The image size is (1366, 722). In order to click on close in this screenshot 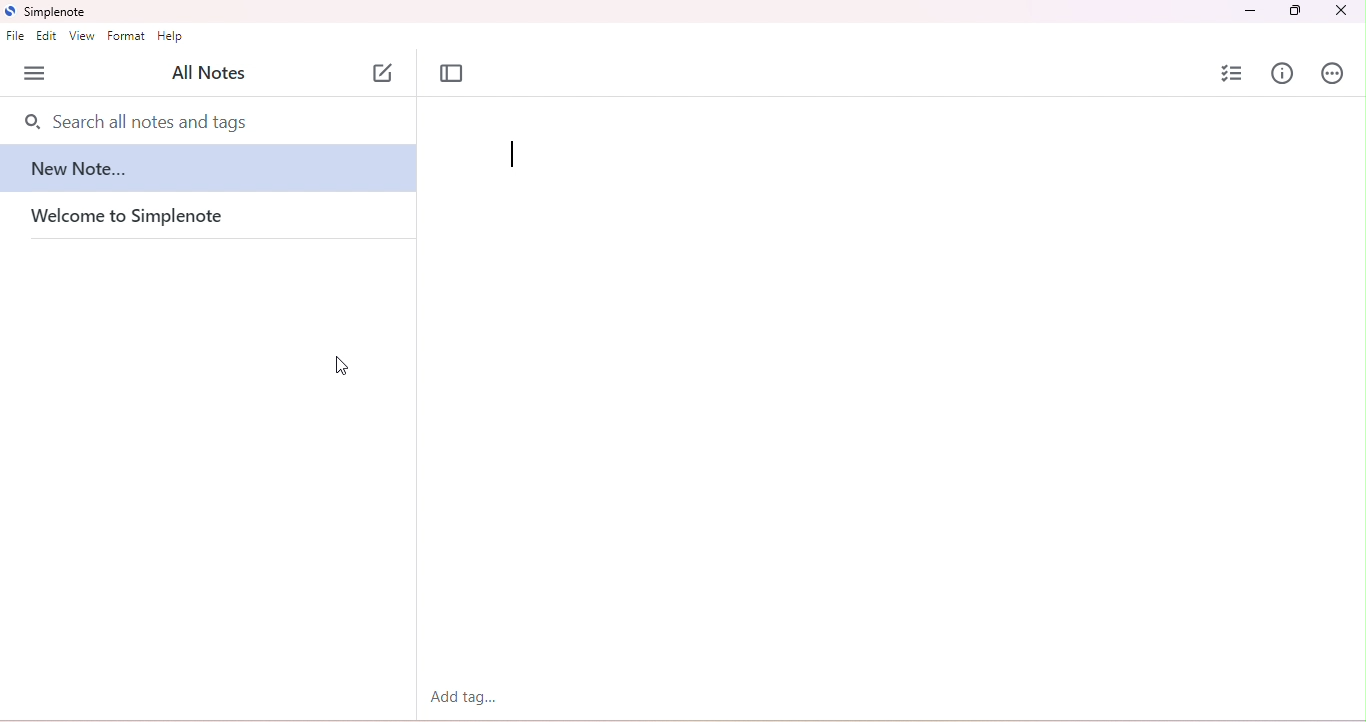, I will do `click(1340, 11)`.